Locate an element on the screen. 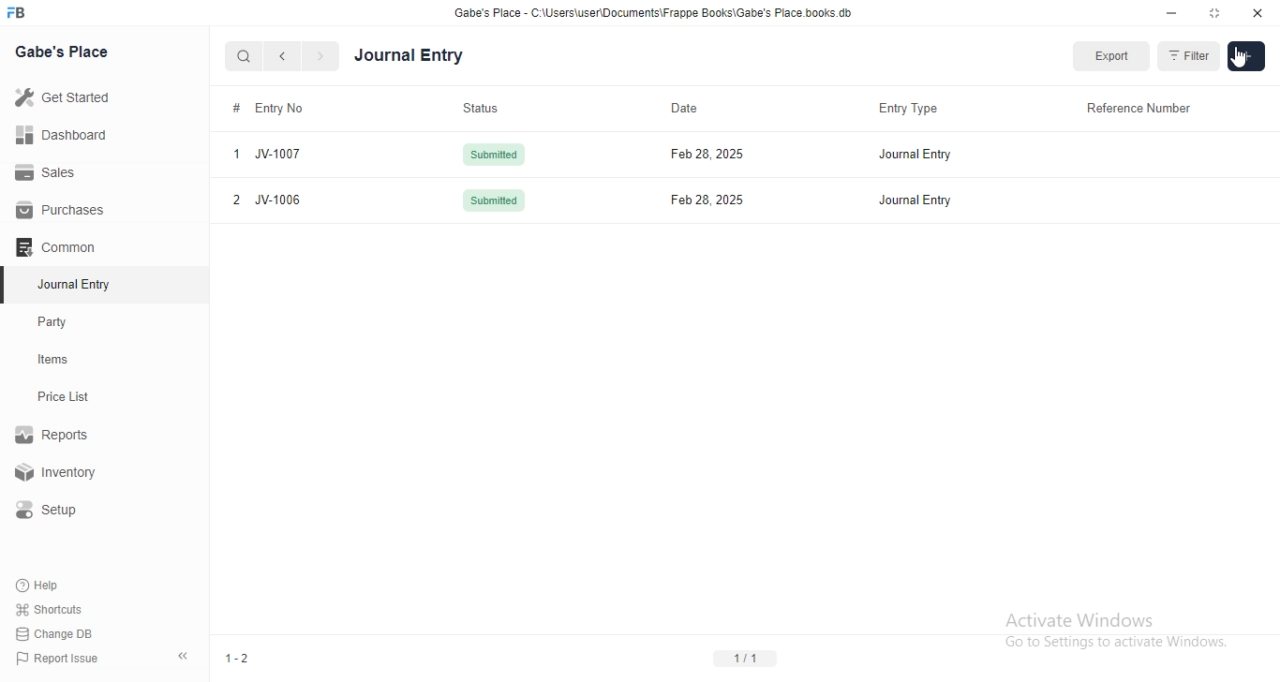 The height and width of the screenshot is (682, 1280). Purchases is located at coordinates (61, 210).